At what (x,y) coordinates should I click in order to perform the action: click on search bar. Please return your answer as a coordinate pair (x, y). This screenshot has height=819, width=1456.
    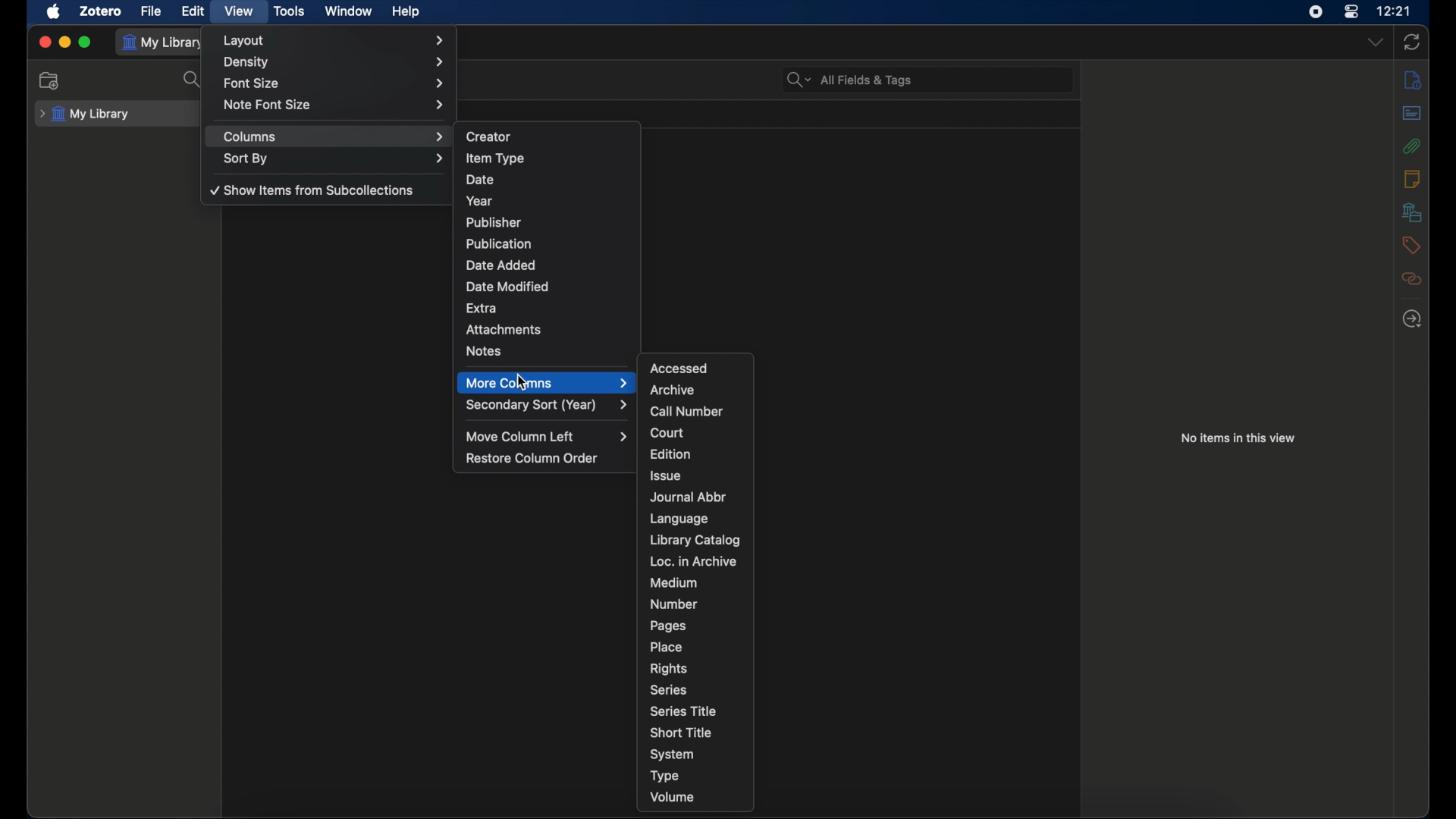
    Looking at the image, I should click on (850, 80).